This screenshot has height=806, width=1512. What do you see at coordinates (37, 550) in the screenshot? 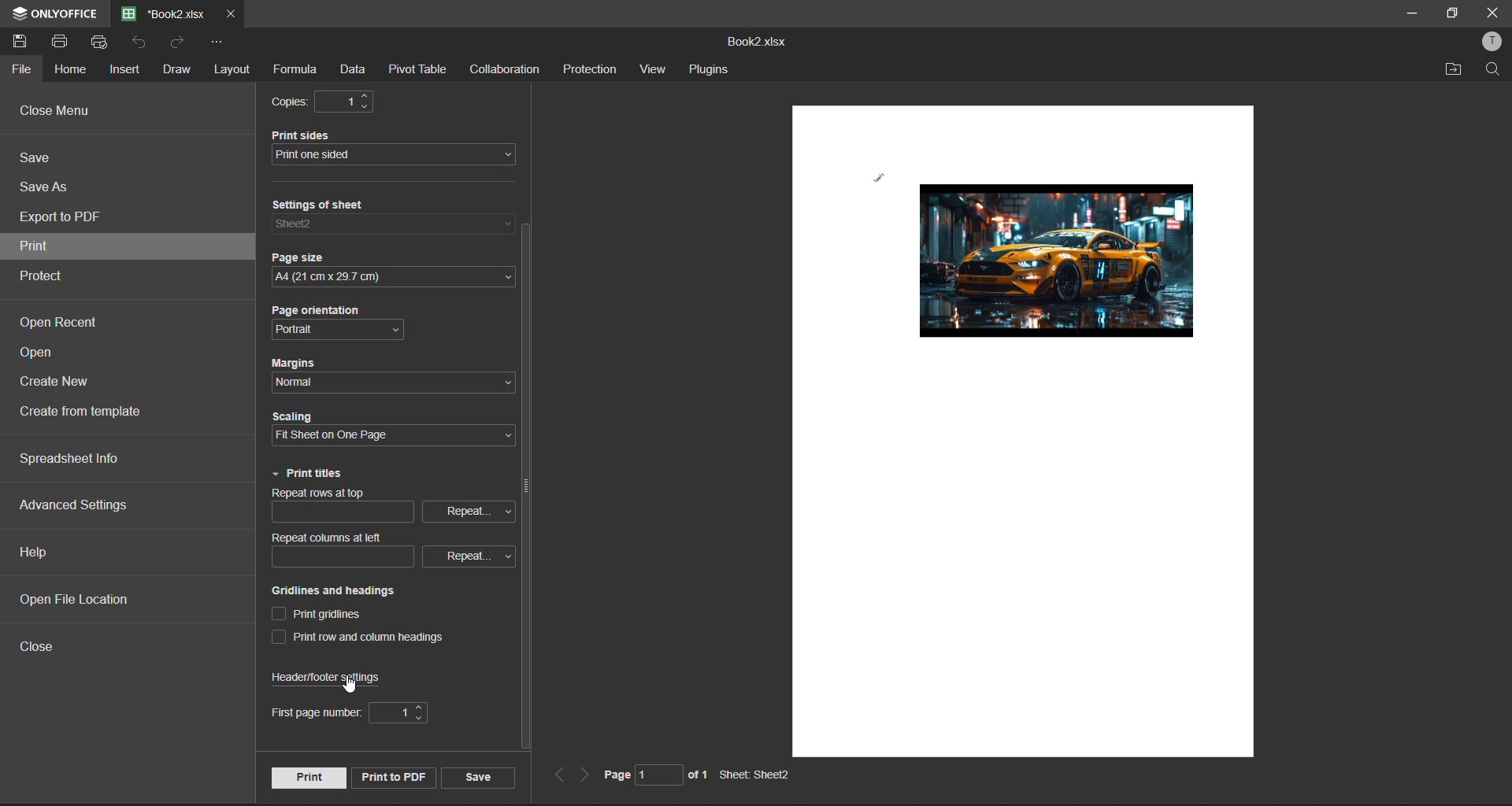
I see `help` at bounding box center [37, 550].